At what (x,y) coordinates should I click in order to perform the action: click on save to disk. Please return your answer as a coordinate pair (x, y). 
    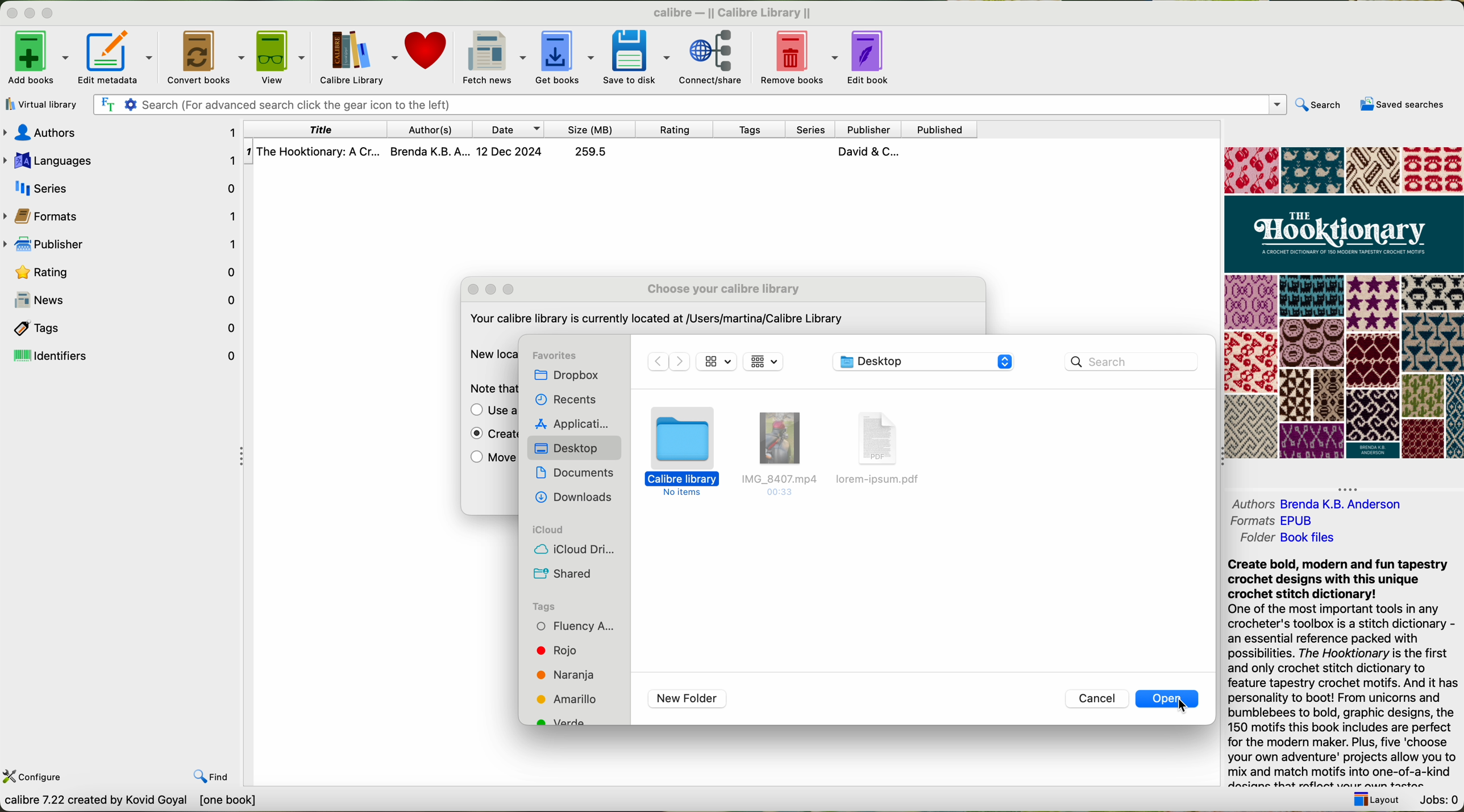
    Looking at the image, I should click on (638, 57).